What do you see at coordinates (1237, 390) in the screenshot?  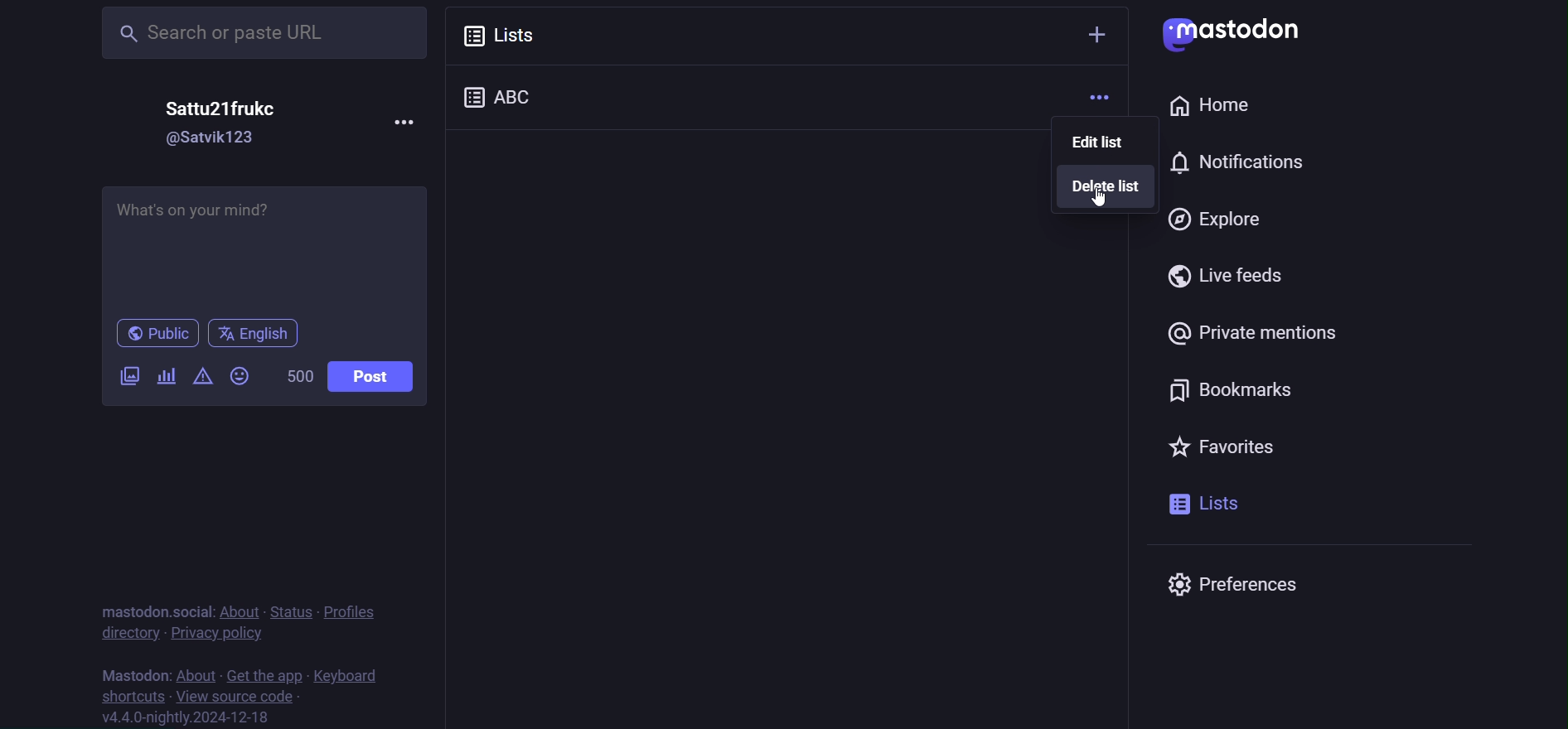 I see `bookmark` at bounding box center [1237, 390].